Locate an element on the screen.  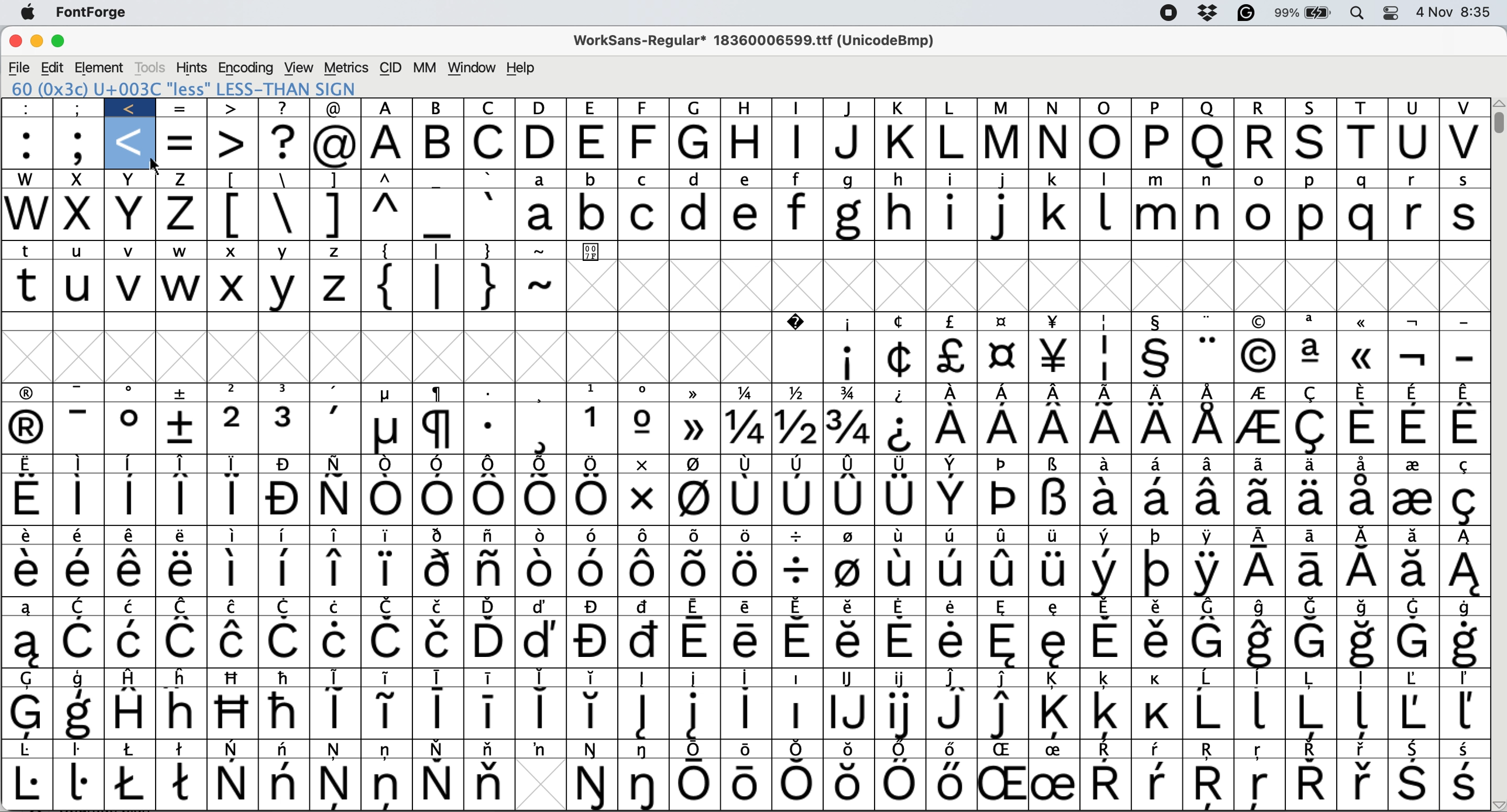
k is located at coordinates (1055, 179).